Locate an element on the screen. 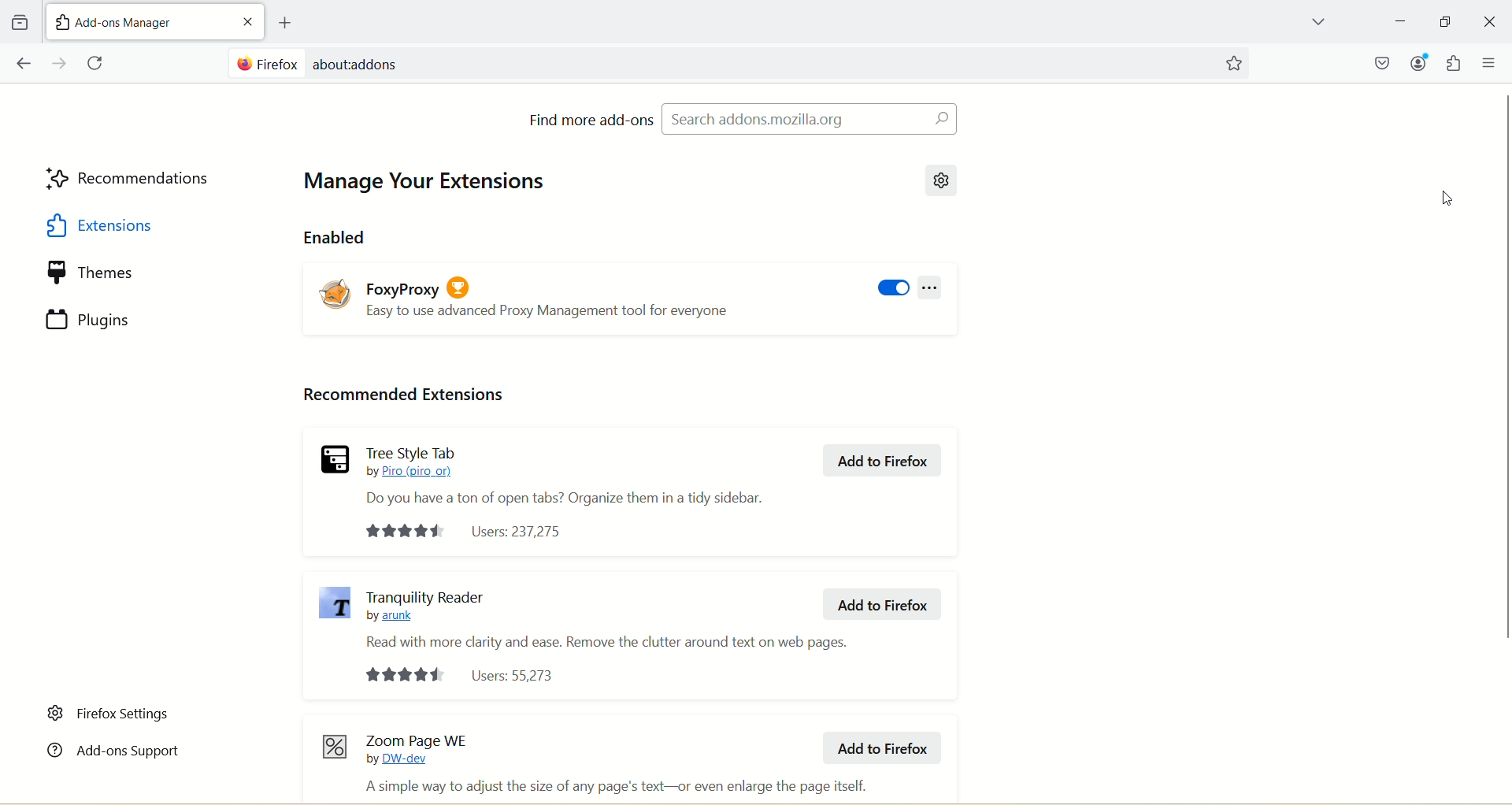  Extensions is located at coordinates (132, 225).